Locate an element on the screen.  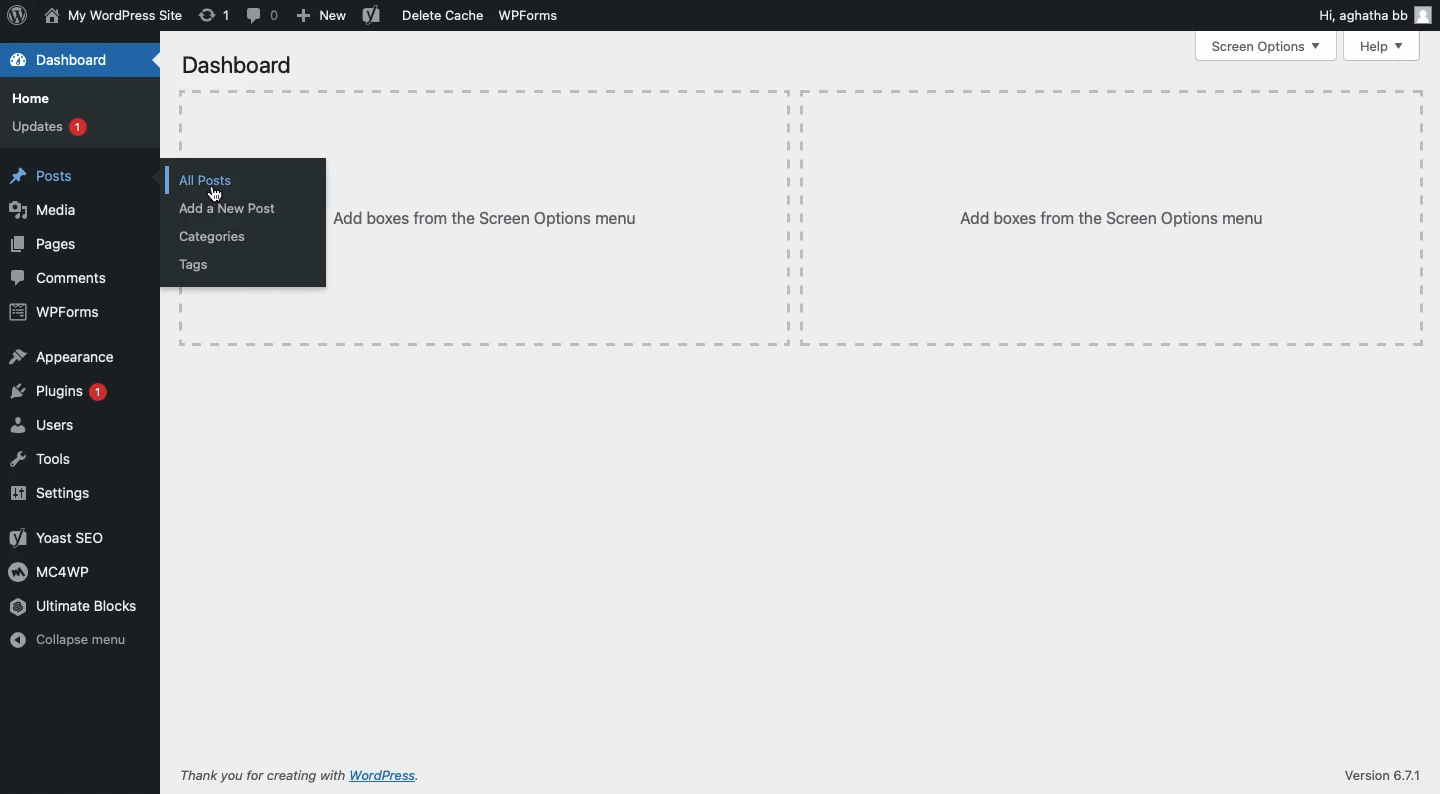
Yoast SEO is located at coordinates (59, 538).